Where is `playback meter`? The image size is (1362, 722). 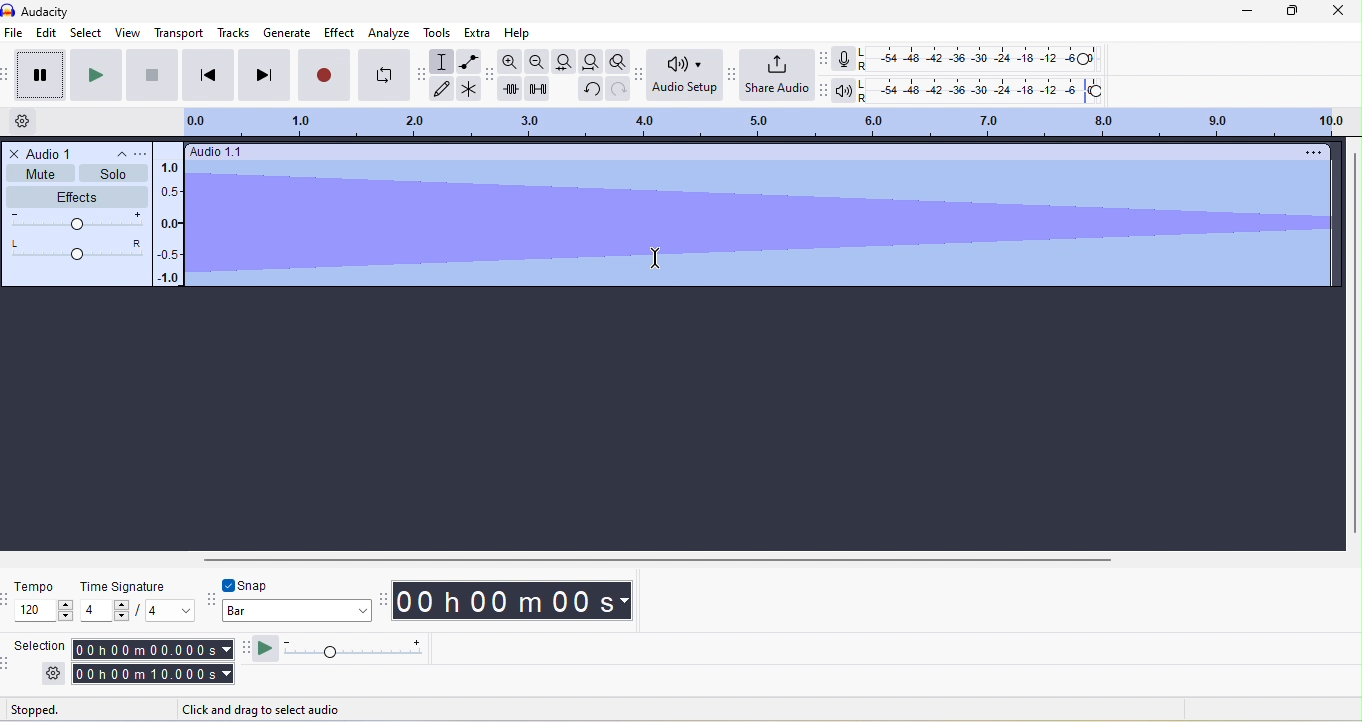
playback meter is located at coordinates (847, 91).